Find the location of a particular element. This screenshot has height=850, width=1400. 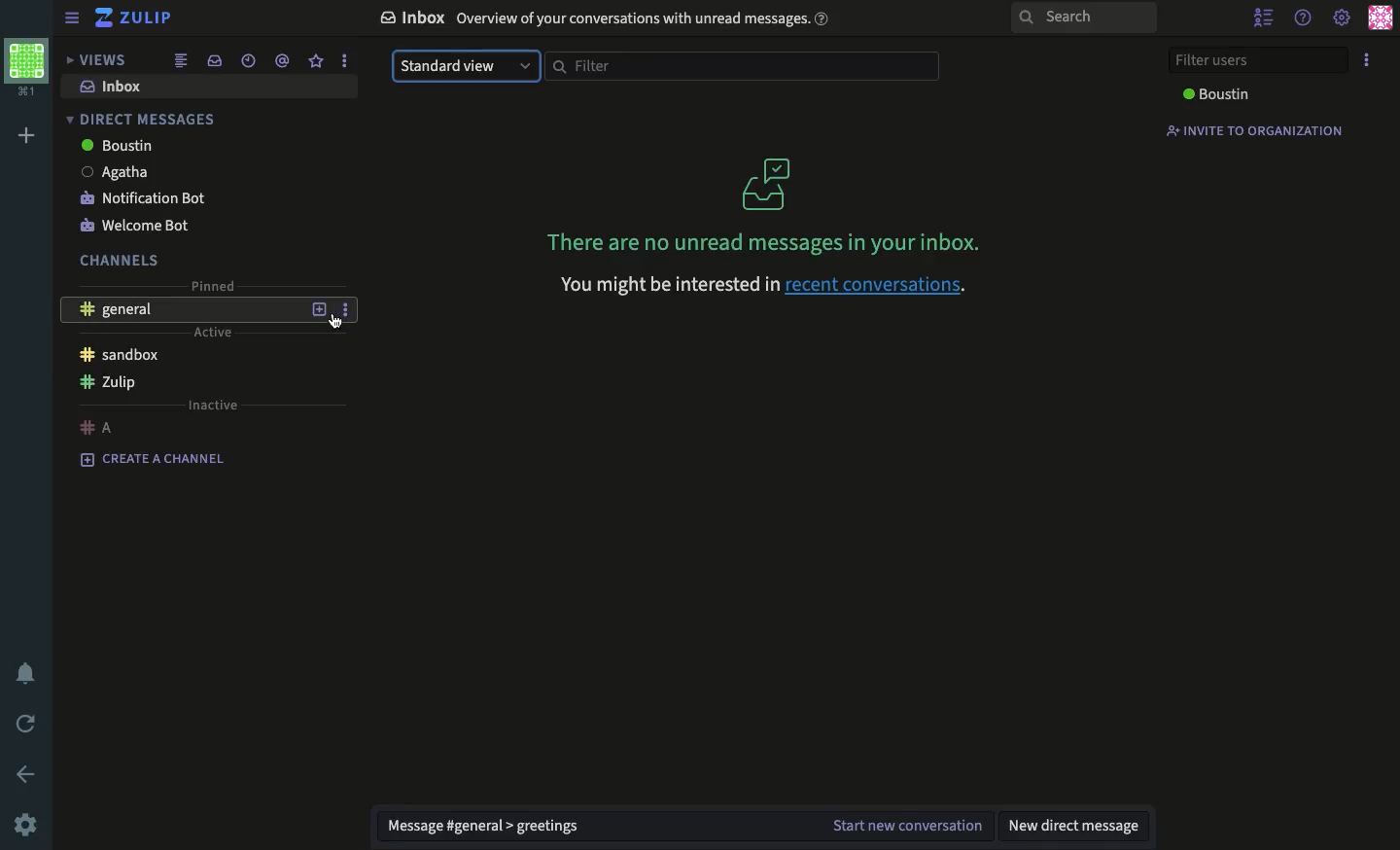

user profile is located at coordinates (1382, 18).